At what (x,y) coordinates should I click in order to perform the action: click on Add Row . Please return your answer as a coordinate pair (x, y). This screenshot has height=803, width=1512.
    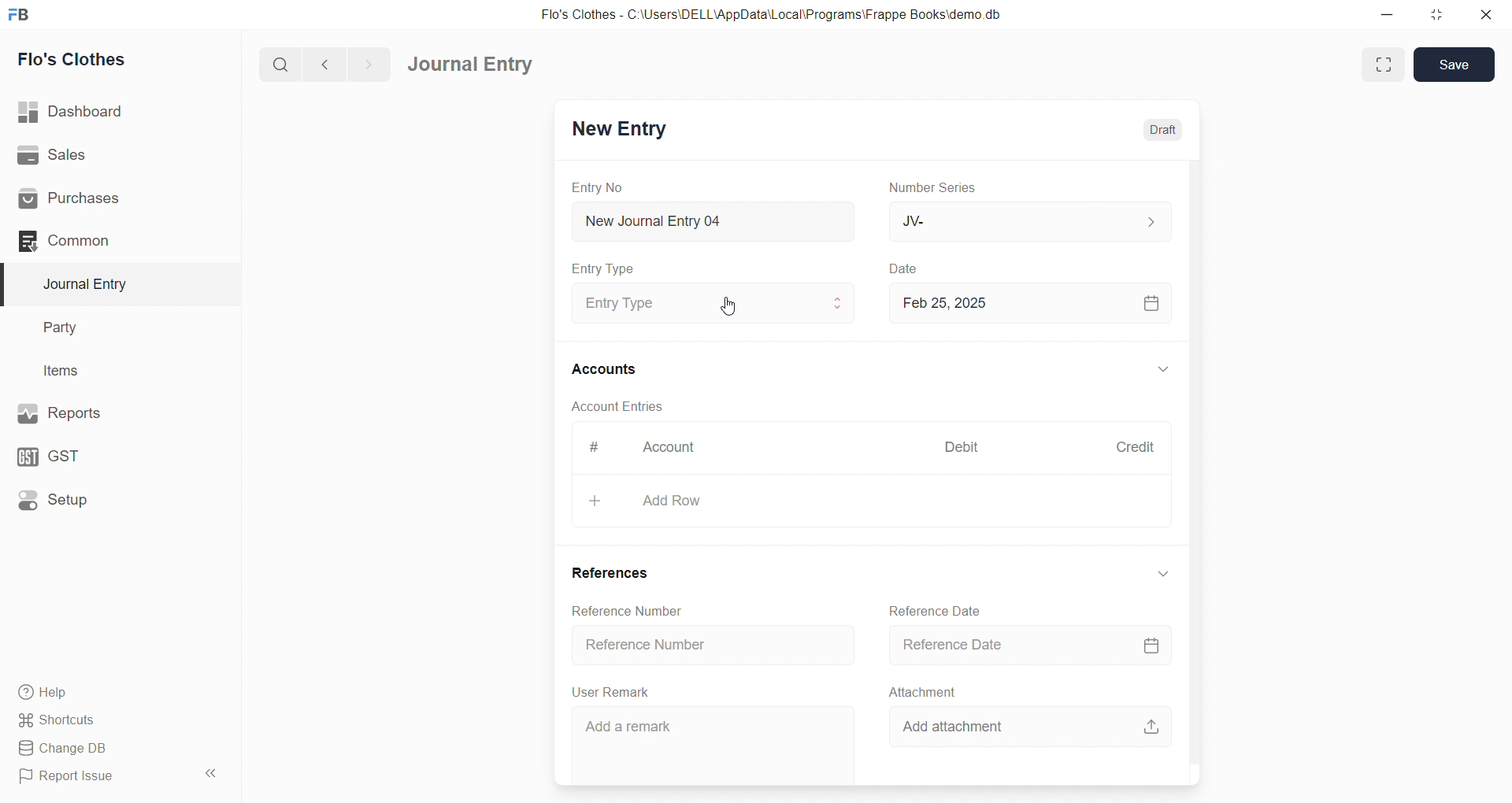
    Looking at the image, I should click on (870, 500).